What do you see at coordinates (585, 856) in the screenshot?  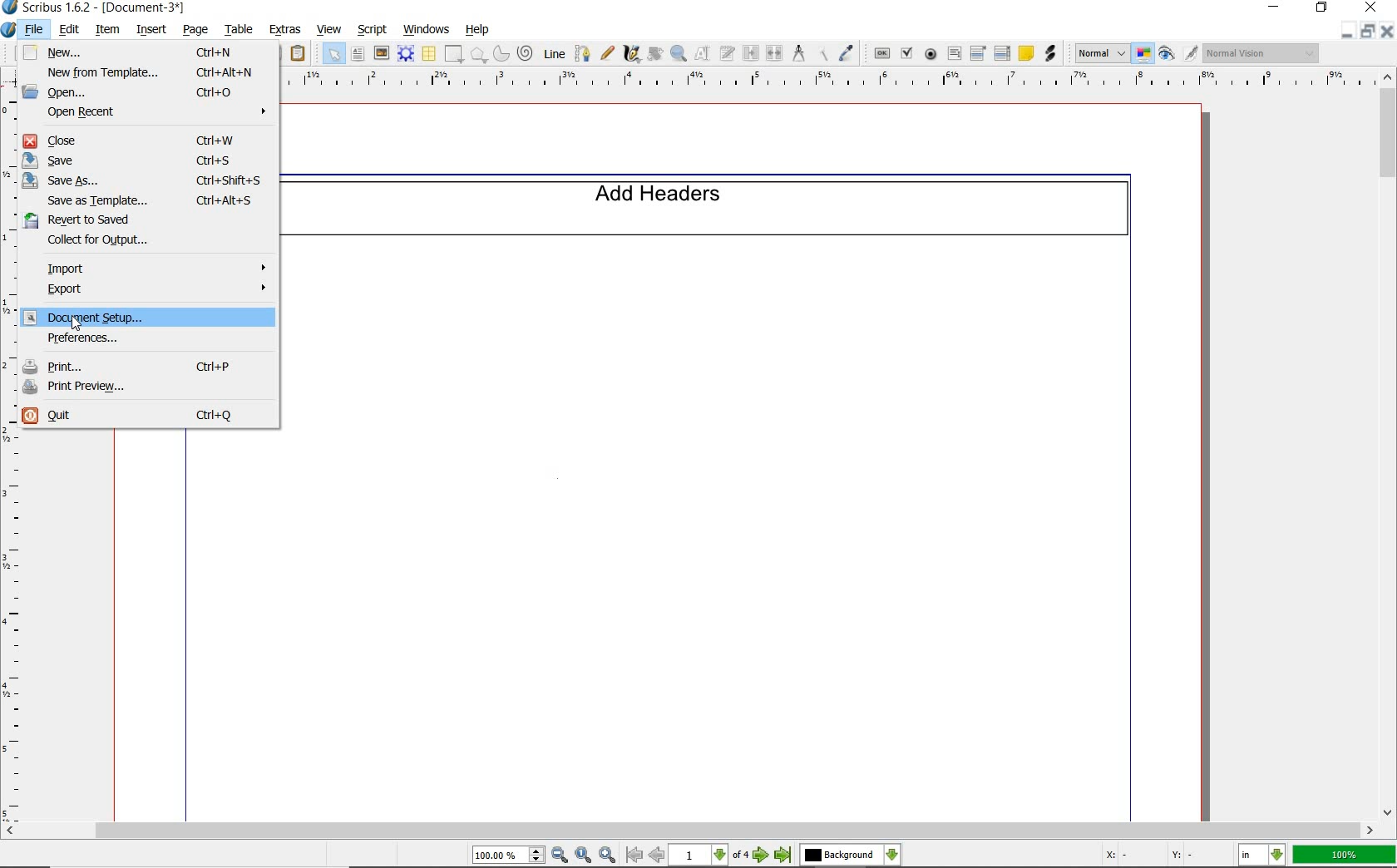 I see `zoom to 100%` at bounding box center [585, 856].